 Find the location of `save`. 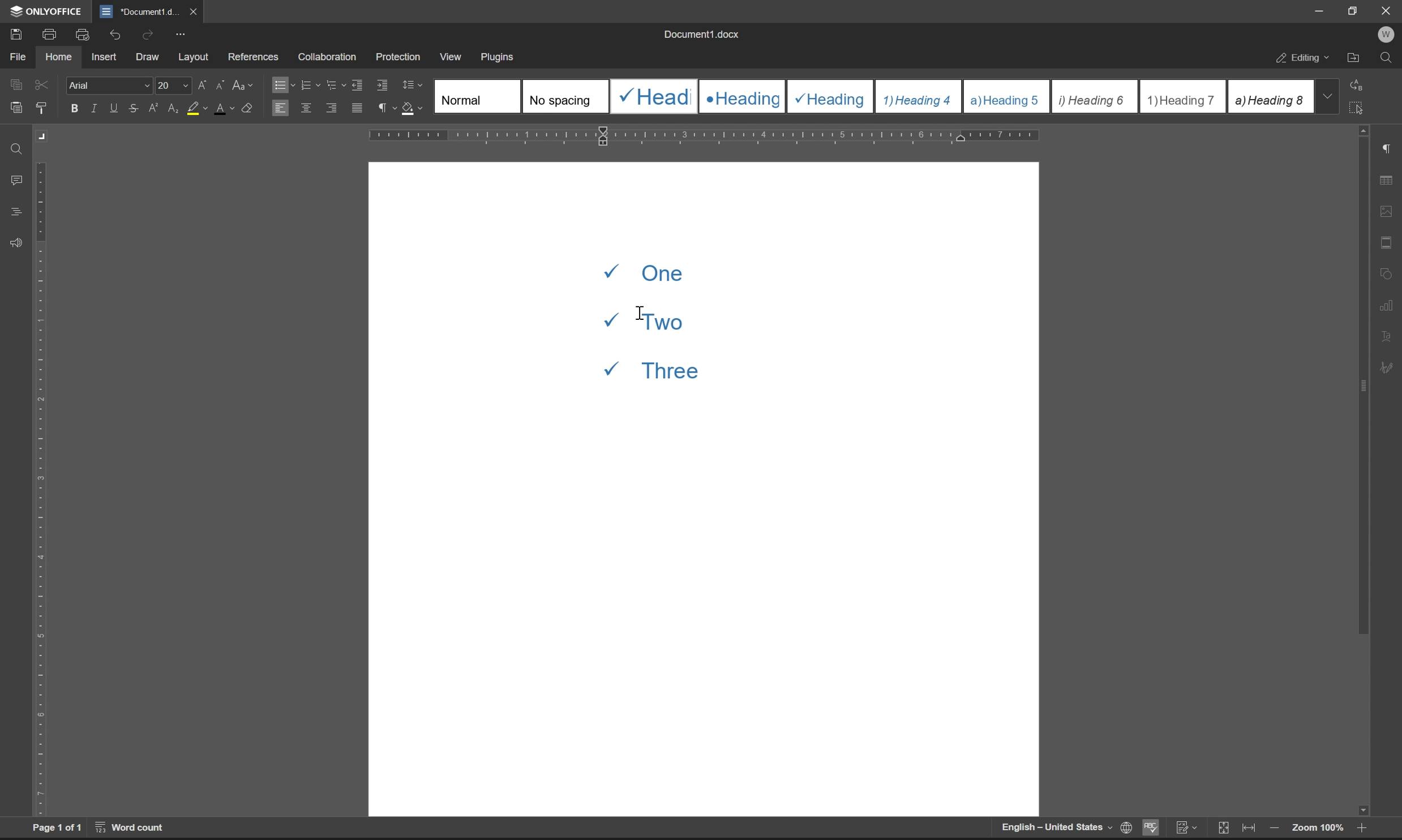

save is located at coordinates (12, 33).